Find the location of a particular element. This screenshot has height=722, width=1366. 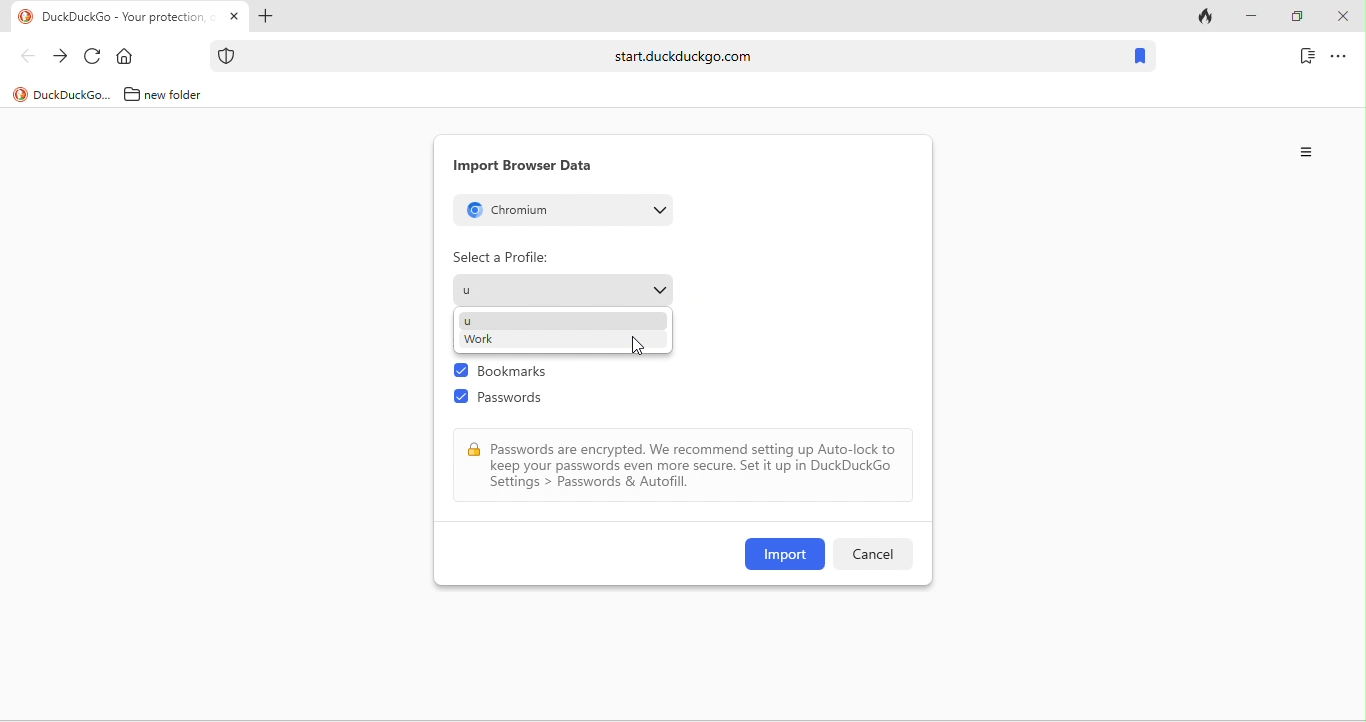

DuckDuckGo... is located at coordinates (73, 94).